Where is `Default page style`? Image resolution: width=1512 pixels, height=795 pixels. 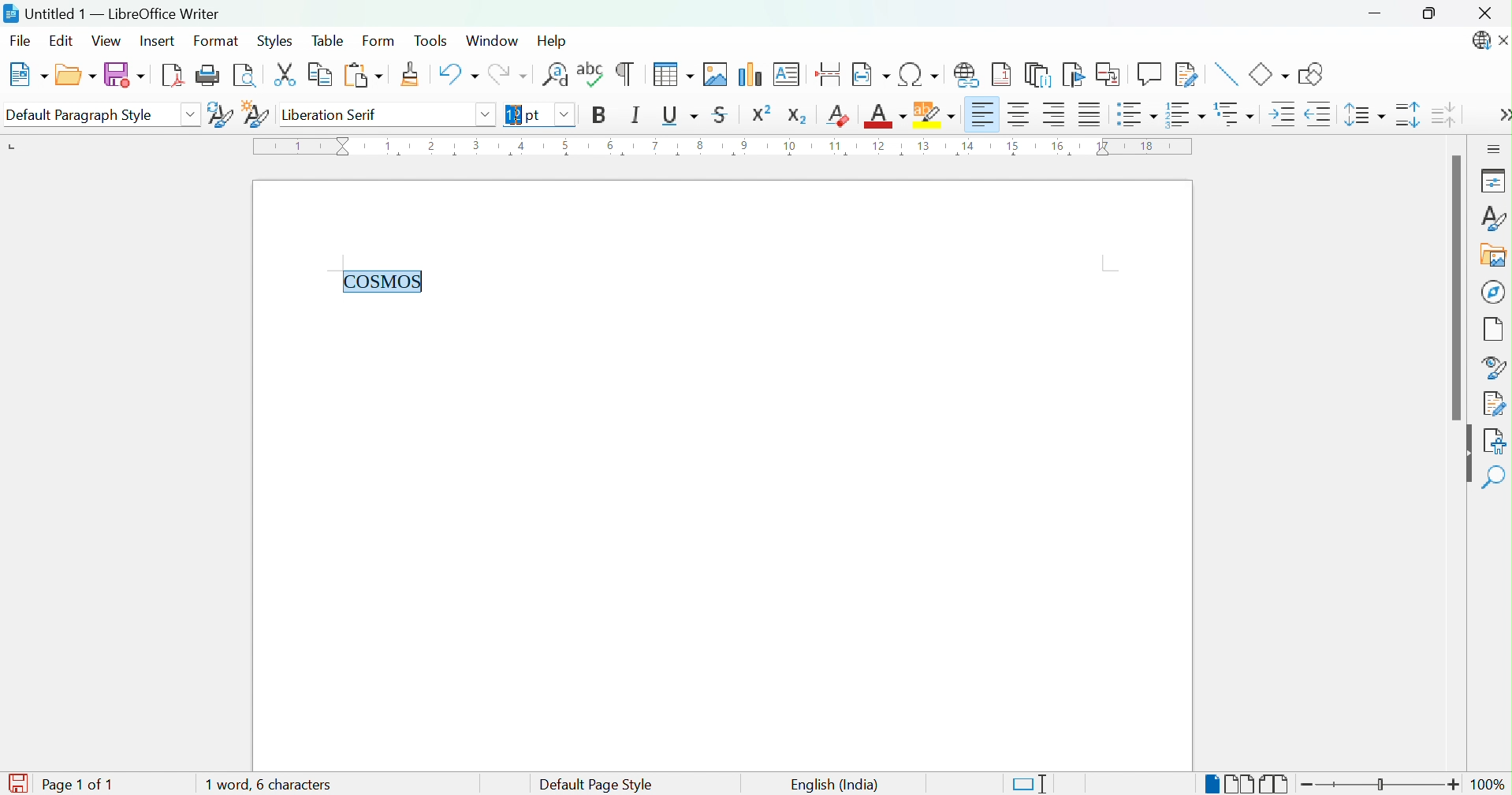
Default page style is located at coordinates (594, 785).